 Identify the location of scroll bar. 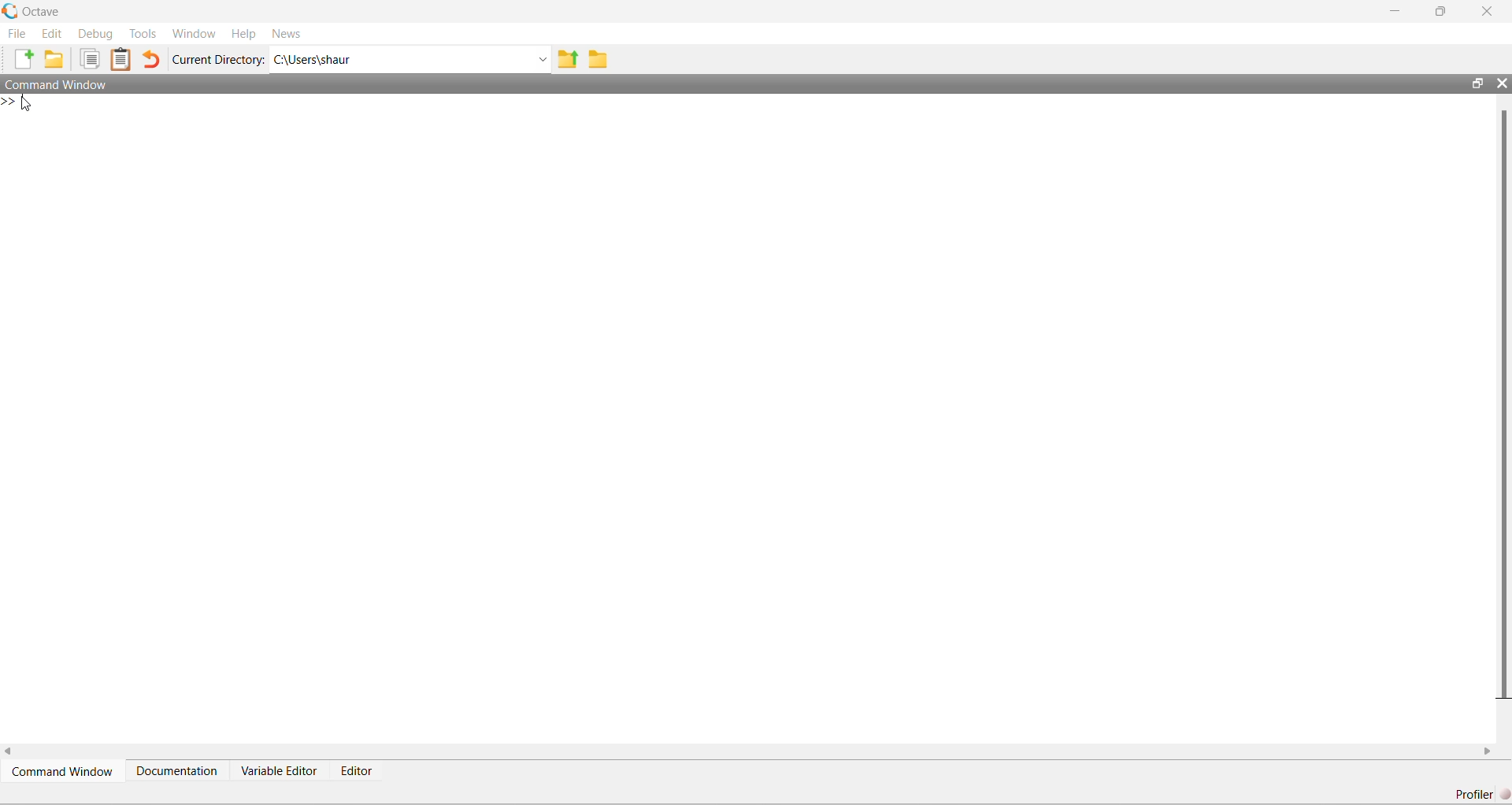
(1504, 406).